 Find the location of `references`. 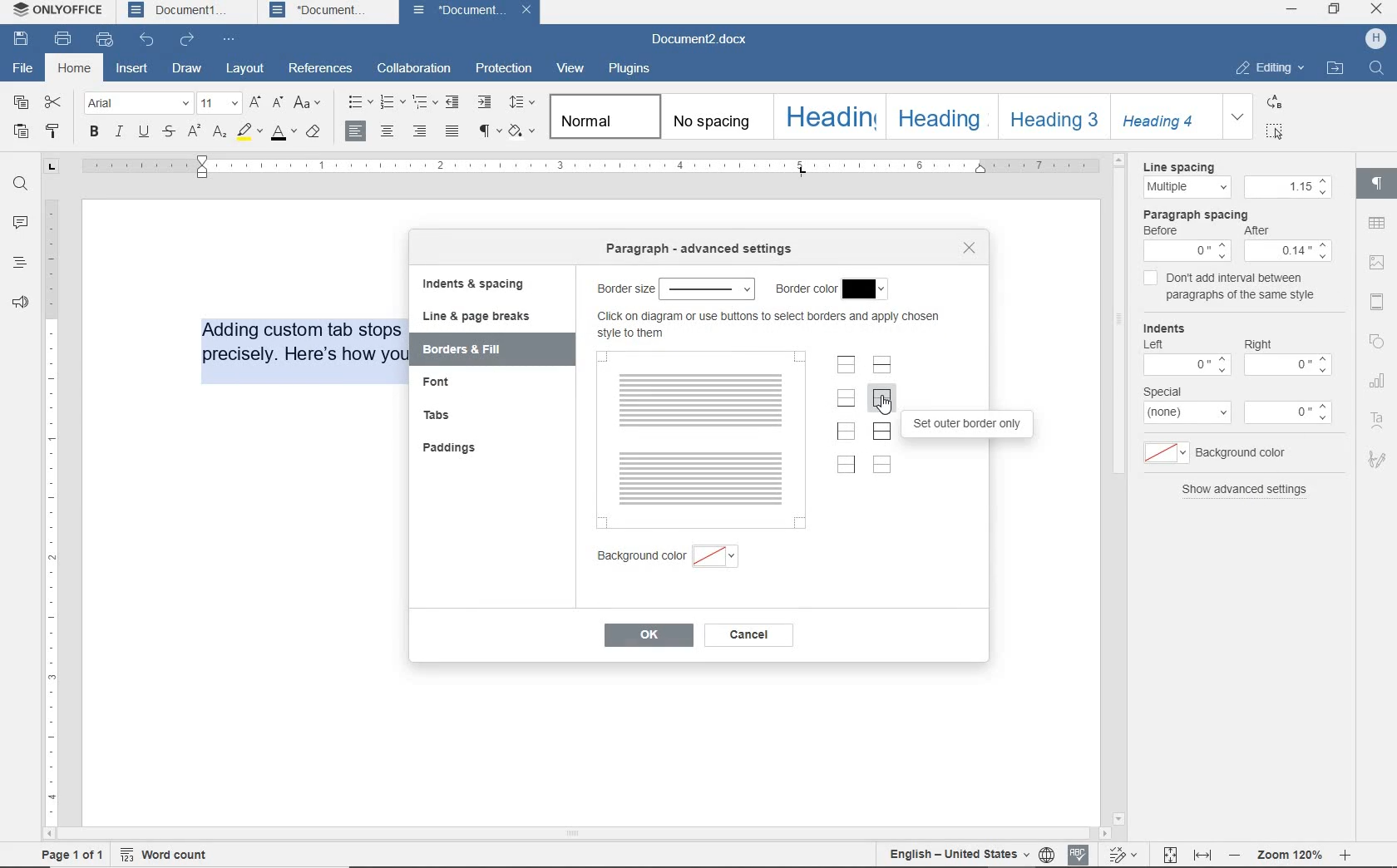

references is located at coordinates (321, 68).